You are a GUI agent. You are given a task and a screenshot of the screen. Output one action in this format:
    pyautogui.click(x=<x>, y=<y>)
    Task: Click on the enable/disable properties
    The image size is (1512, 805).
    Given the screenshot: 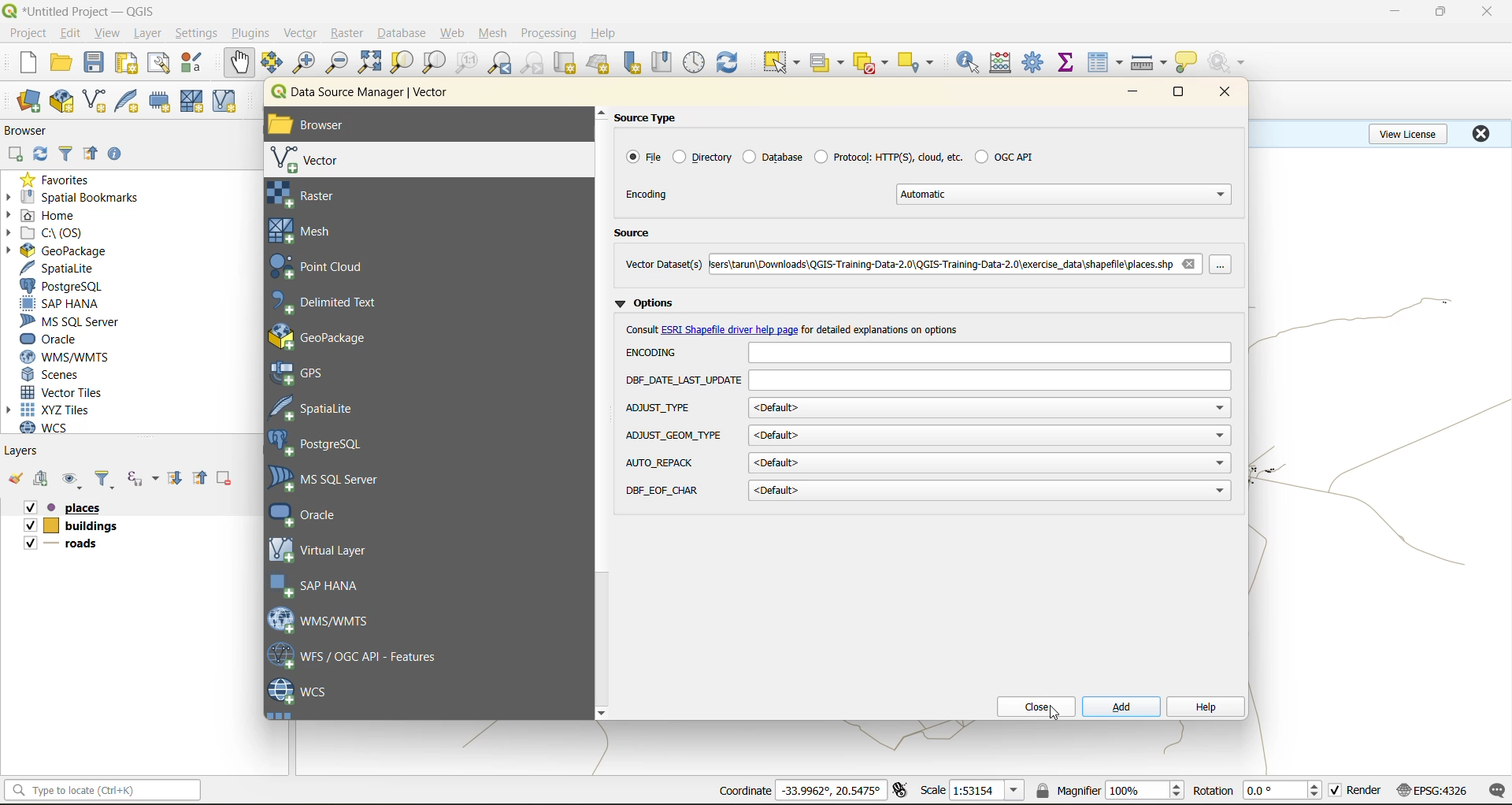 What is the action you would take?
    pyautogui.click(x=119, y=158)
    